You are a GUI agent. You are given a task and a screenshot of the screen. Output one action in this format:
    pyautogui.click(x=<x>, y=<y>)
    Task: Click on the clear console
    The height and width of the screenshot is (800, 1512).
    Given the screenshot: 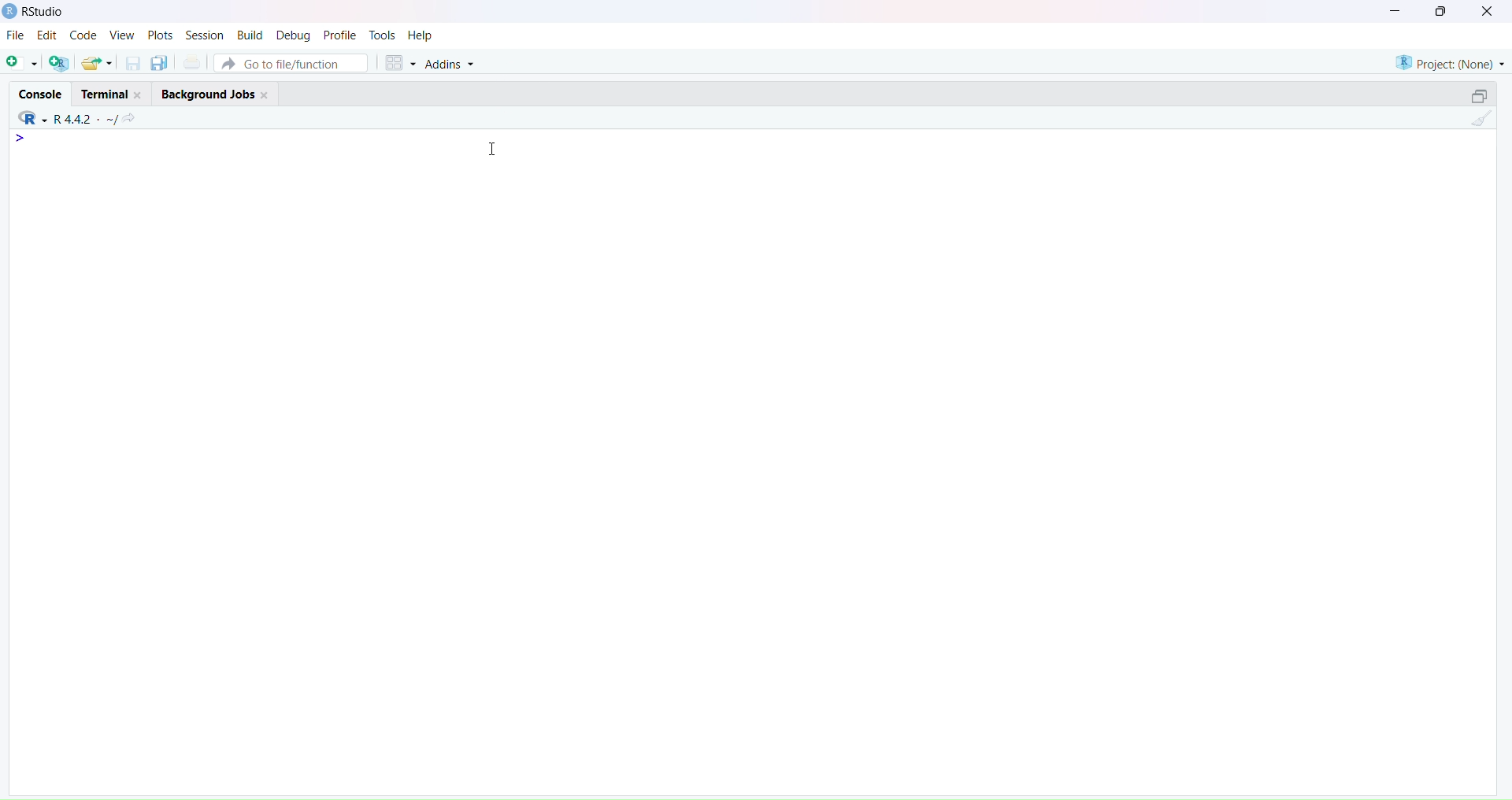 What is the action you would take?
    pyautogui.click(x=1481, y=120)
    